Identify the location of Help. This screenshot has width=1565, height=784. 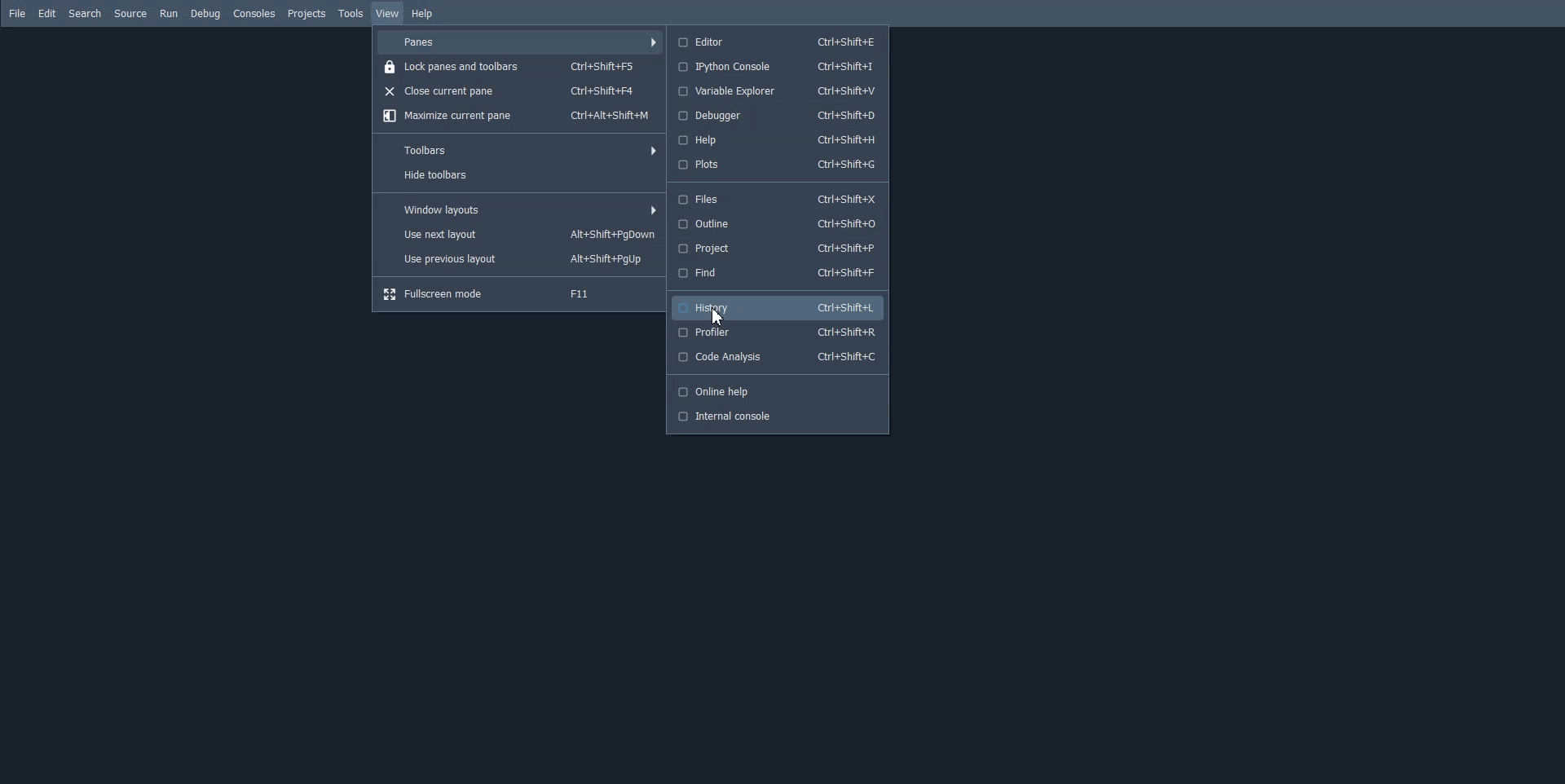
(424, 15).